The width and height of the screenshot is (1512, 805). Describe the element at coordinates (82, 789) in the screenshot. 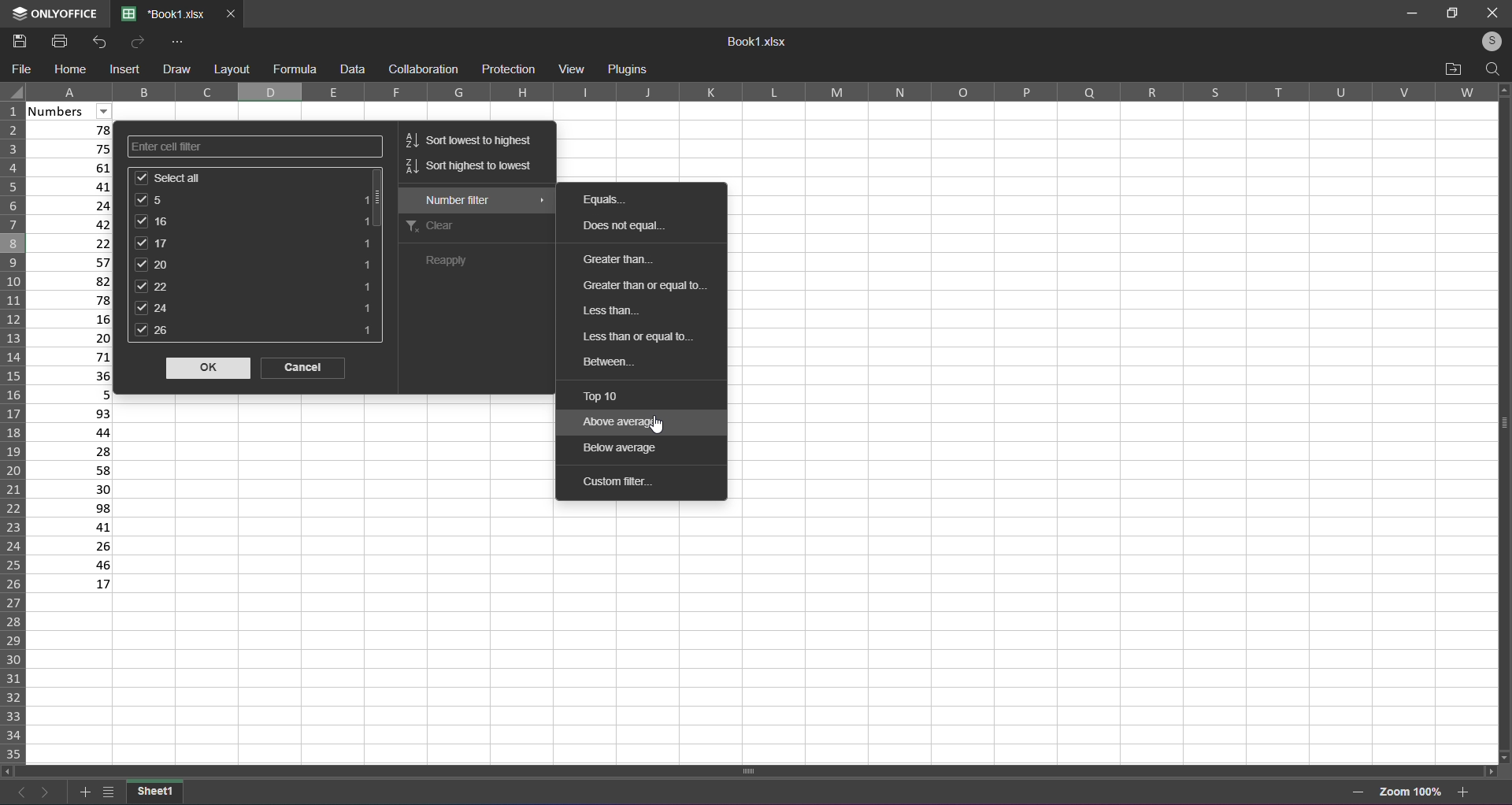

I see `add sheet` at that location.